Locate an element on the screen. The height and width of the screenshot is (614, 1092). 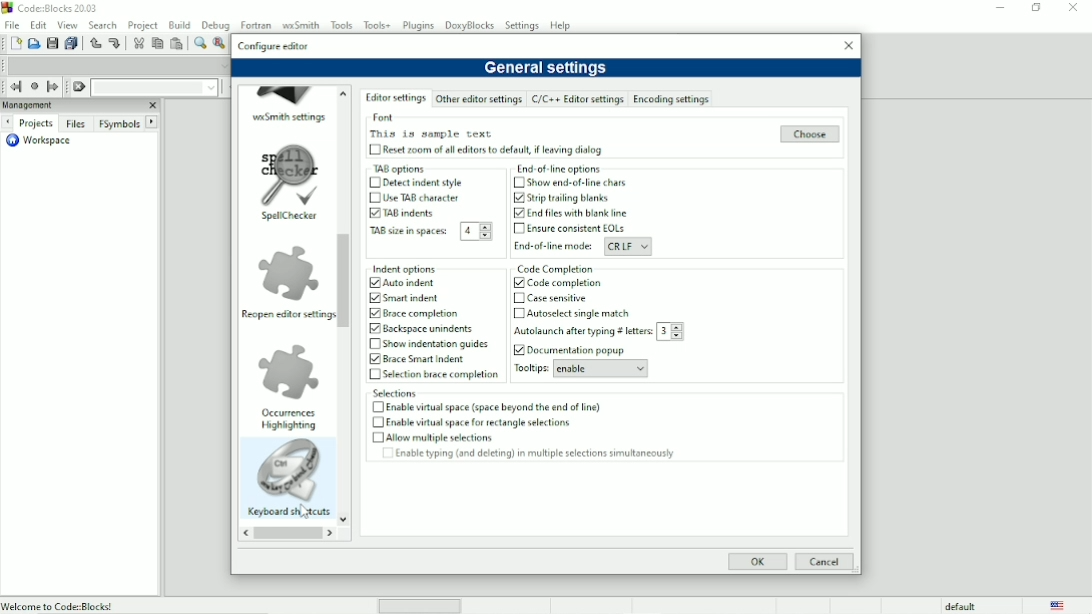
Autolaunch after typing letters is located at coordinates (581, 333).